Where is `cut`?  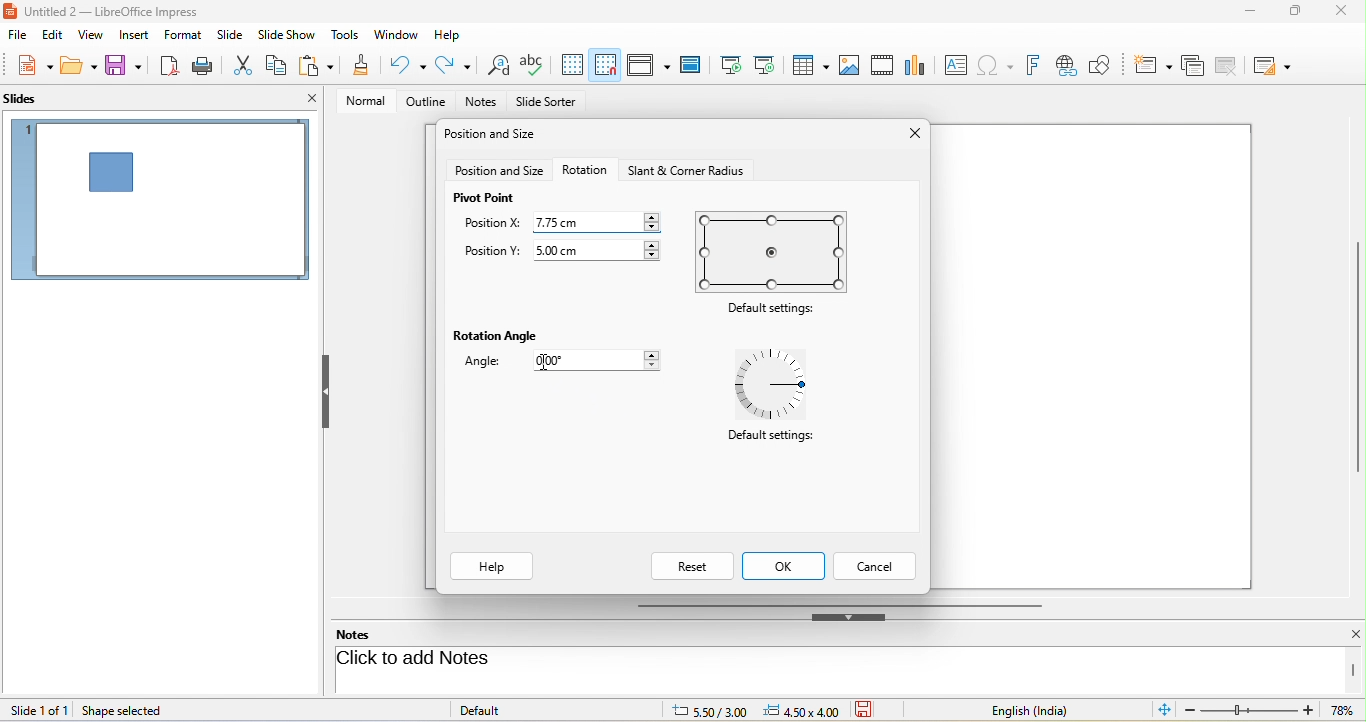
cut is located at coordinates (245, 64).